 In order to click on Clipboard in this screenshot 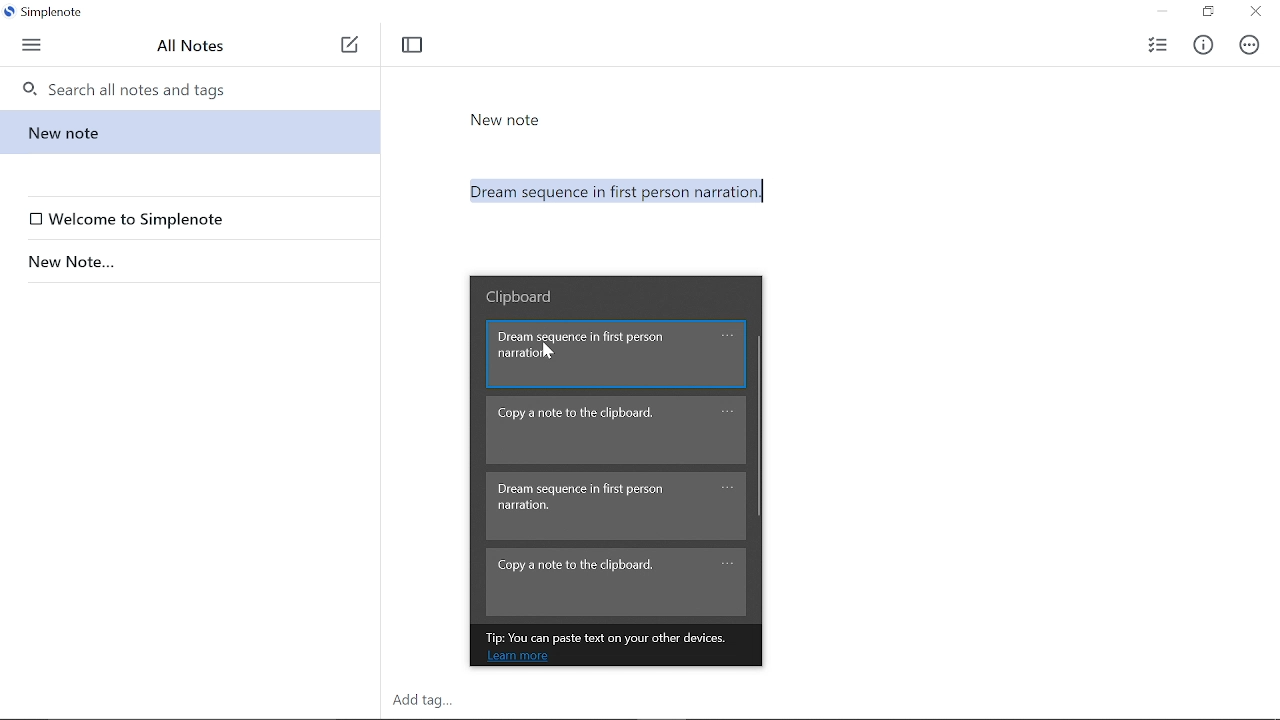, I will do `click(525, 296)`.